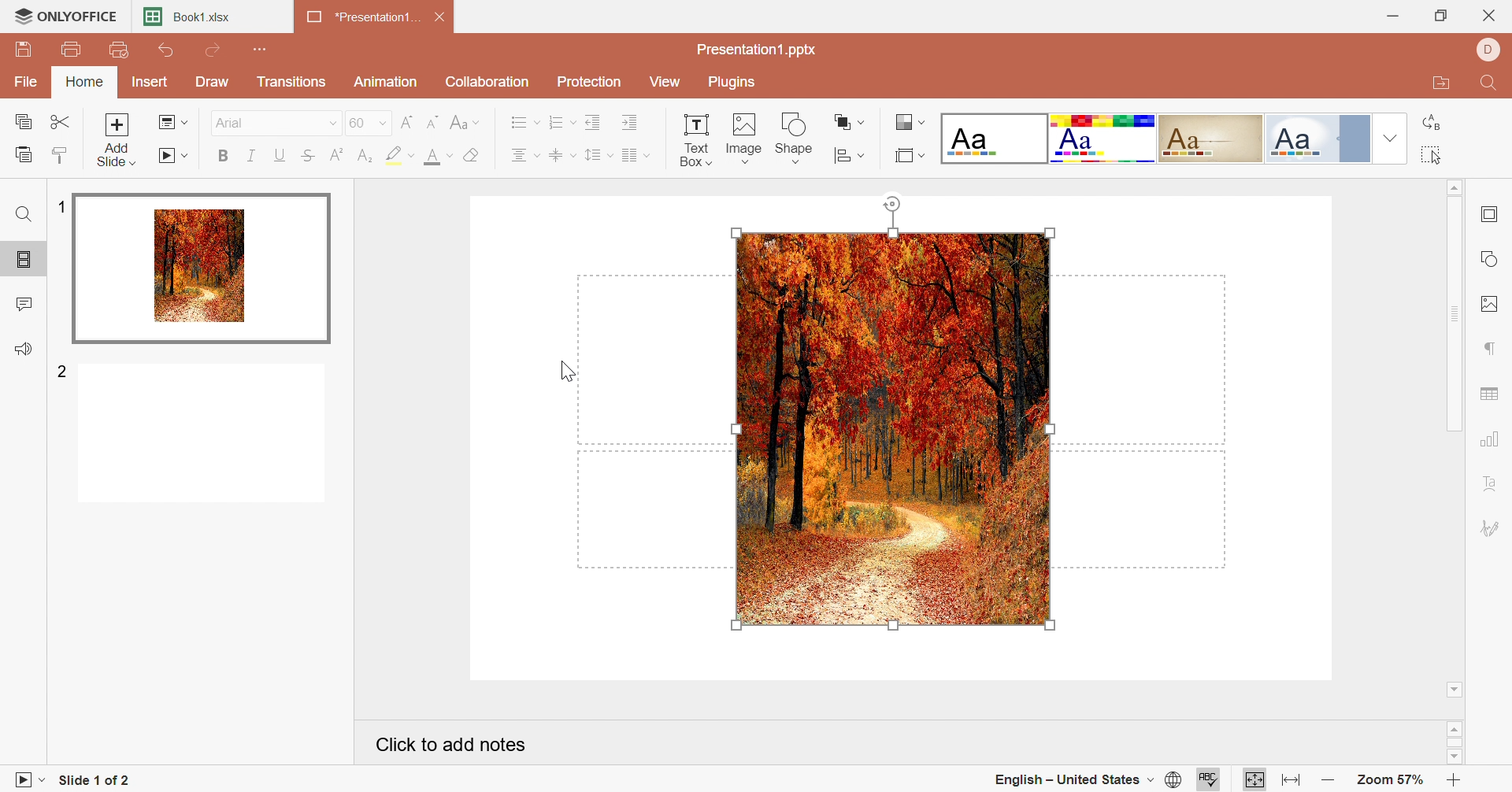 The height and width of the screenshot is (792, 1512). What do you see at coordinates (1453, 188) in the screenshot?
I see `Scroll Up` at bounding box center [1453, 188].